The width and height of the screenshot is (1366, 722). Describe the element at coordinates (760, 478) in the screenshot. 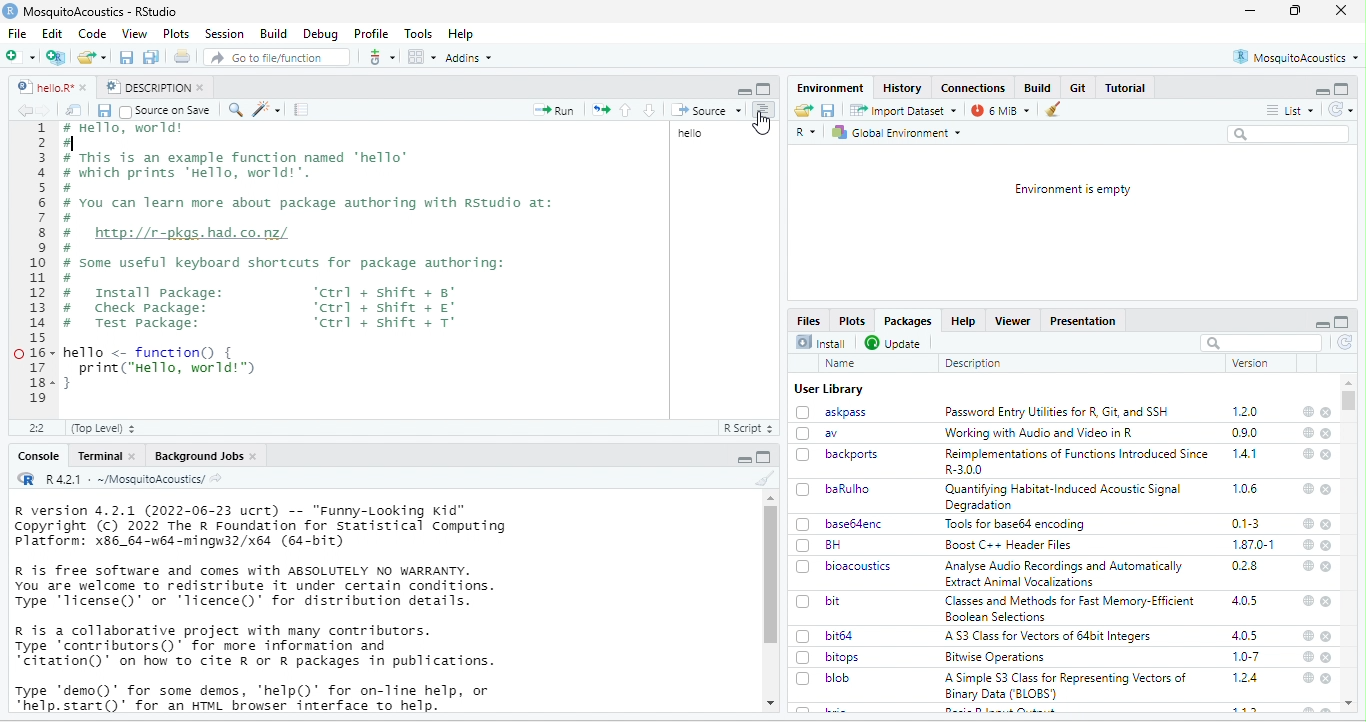

I see `clear console` at that location.